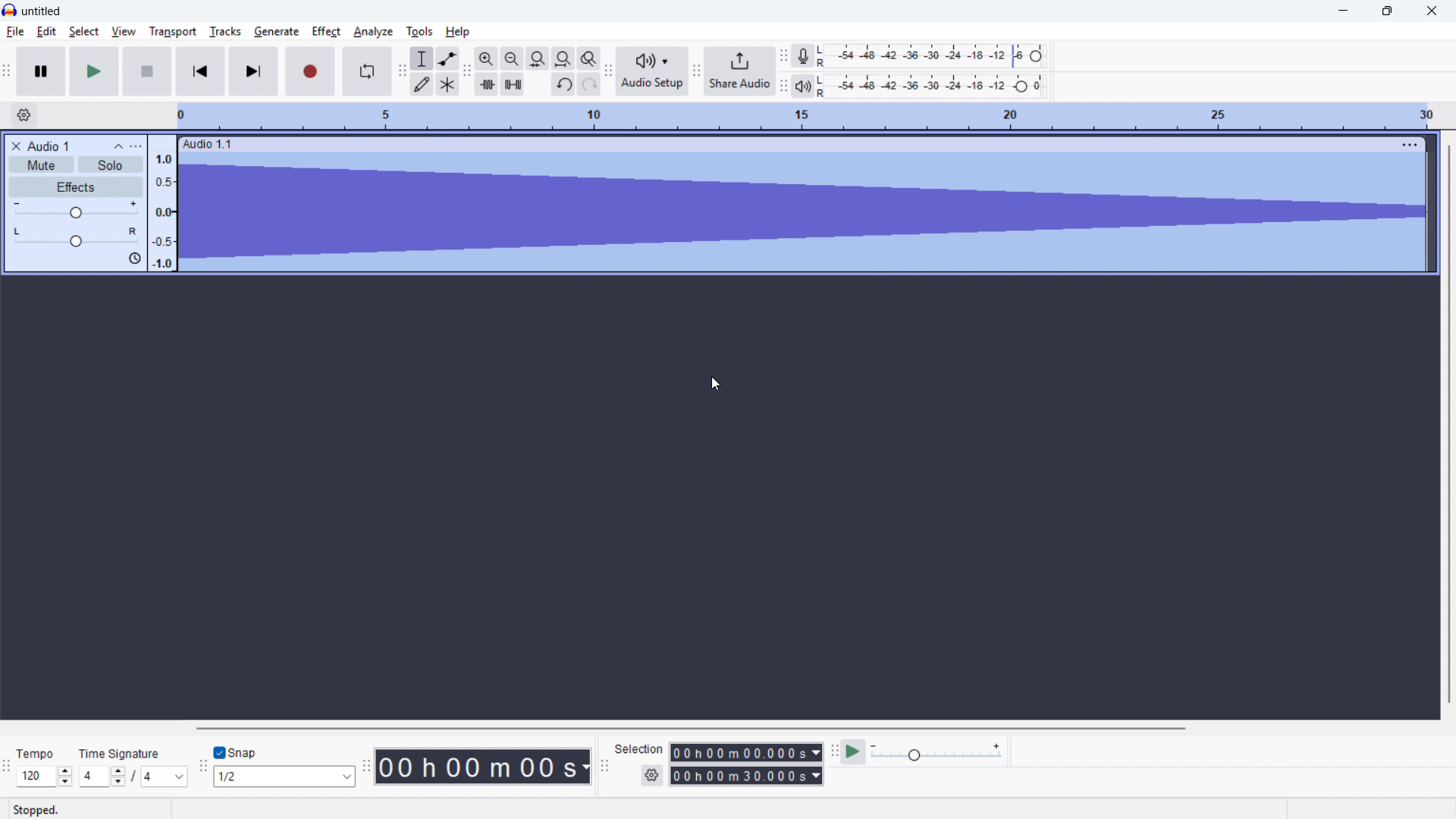 Image resolution: width=1456 pixels, height=819 pixels. I want to click on Snapping toolbar , so click(203, 769).